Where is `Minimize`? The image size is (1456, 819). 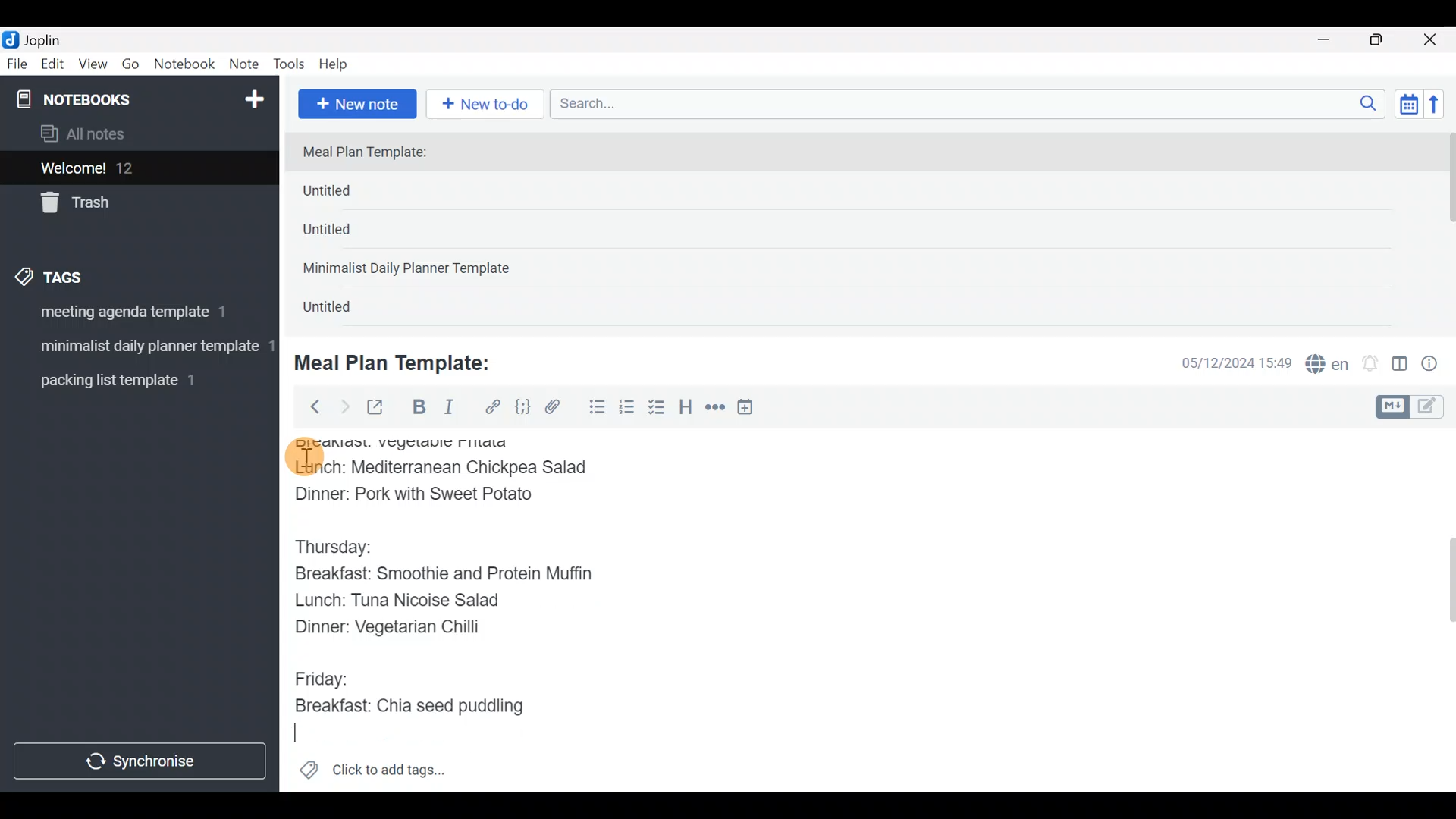 Minimize is located at coordinates (1332, 38).